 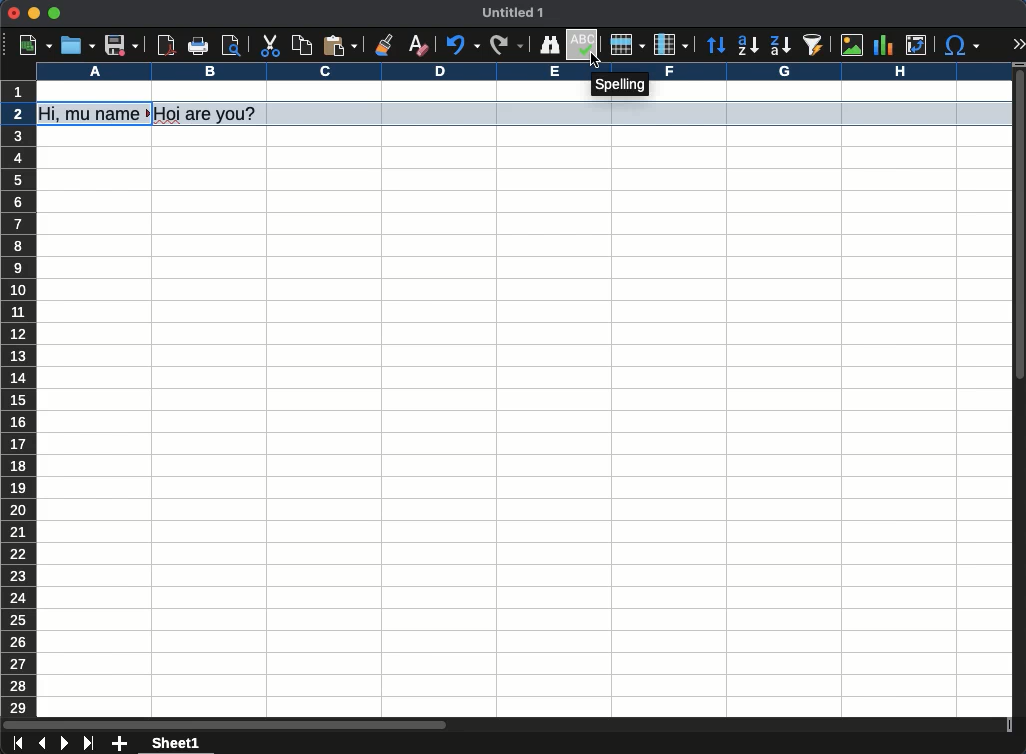 What do you see at coordinates (523, 73) in the screenshot?
I see `column` at bounding box center [523, 73].